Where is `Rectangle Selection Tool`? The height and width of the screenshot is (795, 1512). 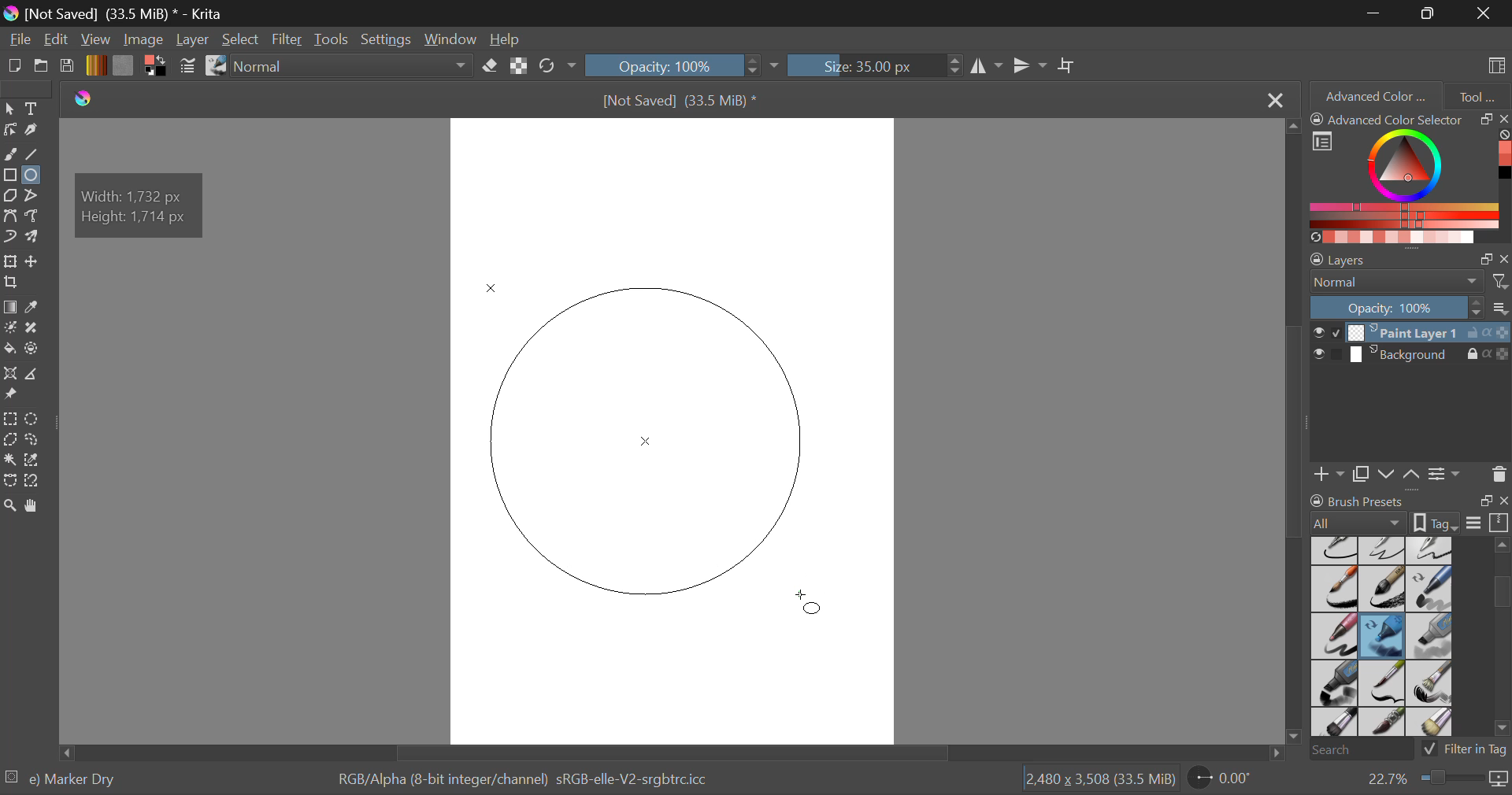
Rectangle Selection Tool is located at coordinates (9, 418).